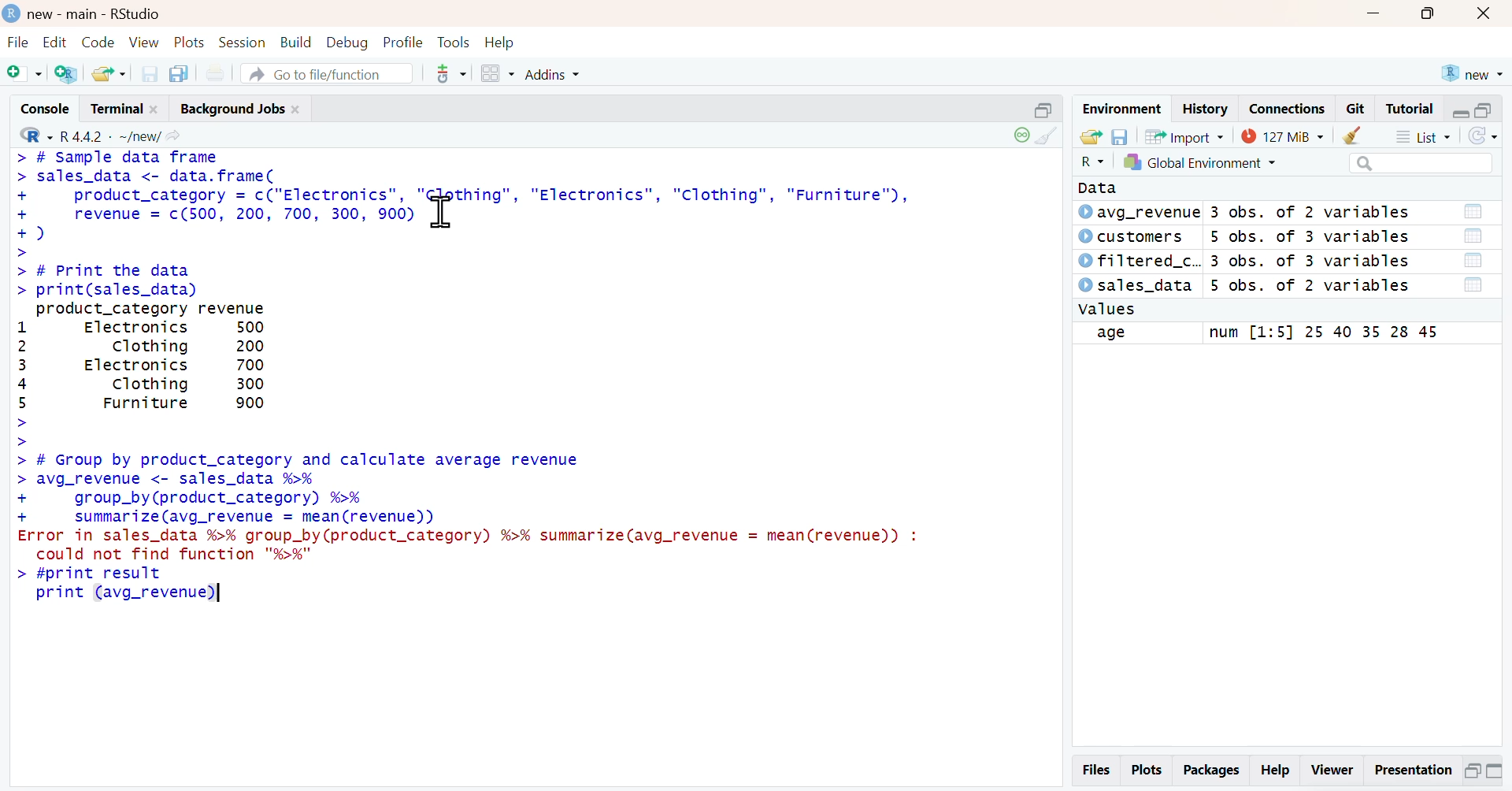 Image resolution: width=1512 pixels, height=791 pixels. What do you see at coordinates (108, 74) in the screenshot?
I see `Open an Existing File` at bounding box center [108, 74].